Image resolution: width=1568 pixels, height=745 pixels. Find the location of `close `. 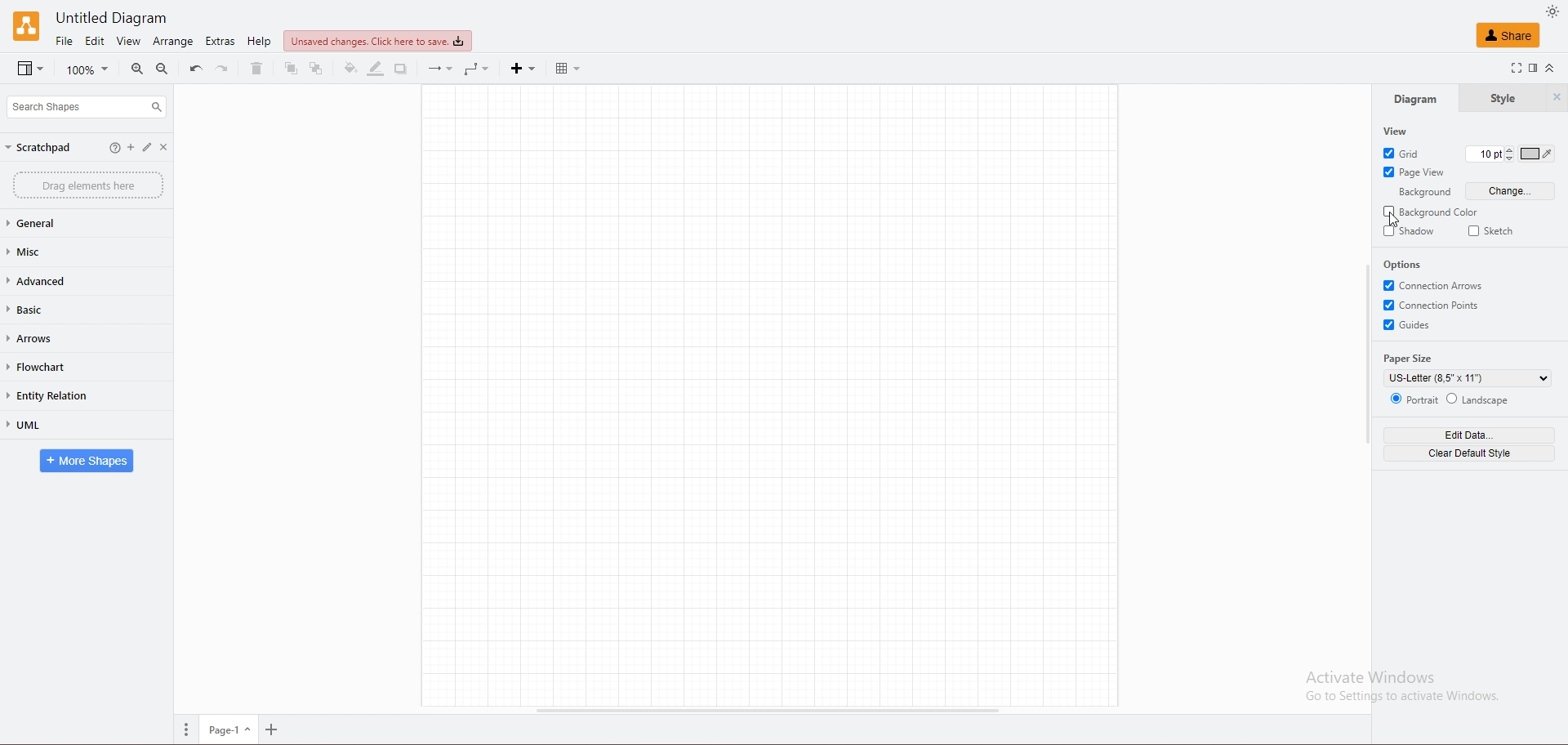

close  is located at coordinates (171, 148).